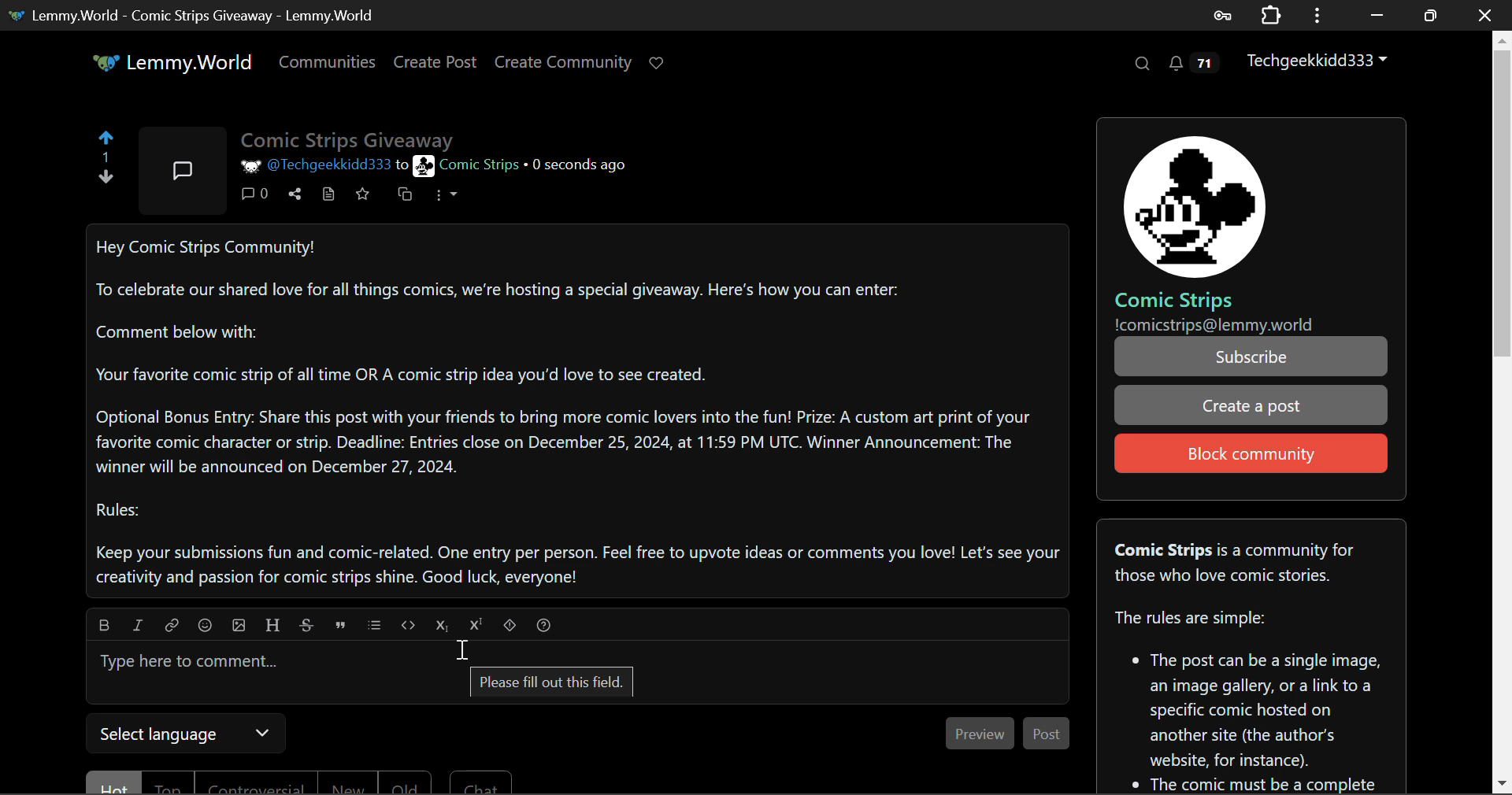 The width and height of the screenshot is (1512, 795). I want to click on Lemmy.World, so click(170, 62).